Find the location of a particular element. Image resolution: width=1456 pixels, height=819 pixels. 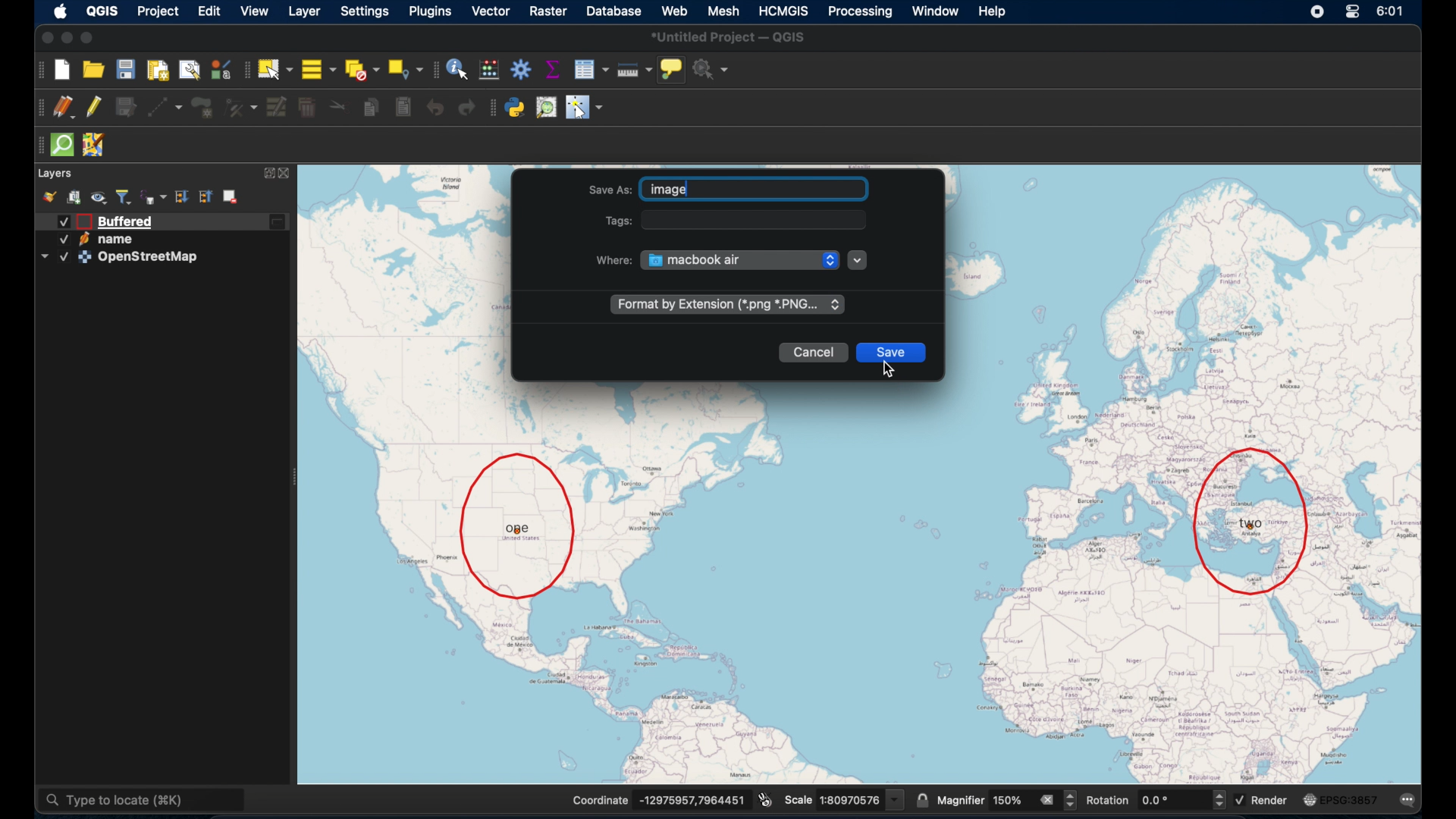

Increase and decrease rotation value is located at coordinates (1218, 802).